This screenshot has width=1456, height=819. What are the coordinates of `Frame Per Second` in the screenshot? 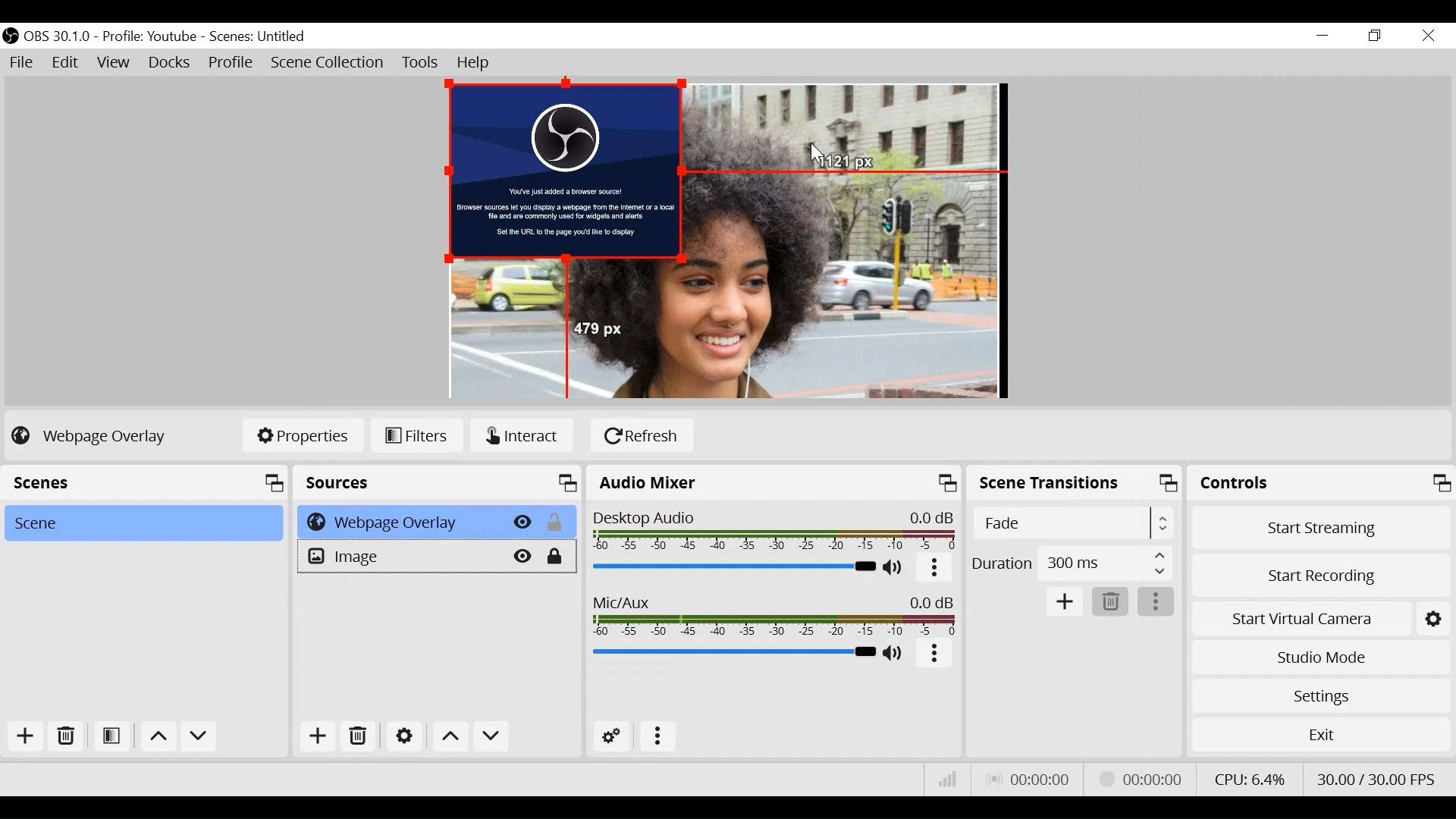 It's located at (1376, 780).